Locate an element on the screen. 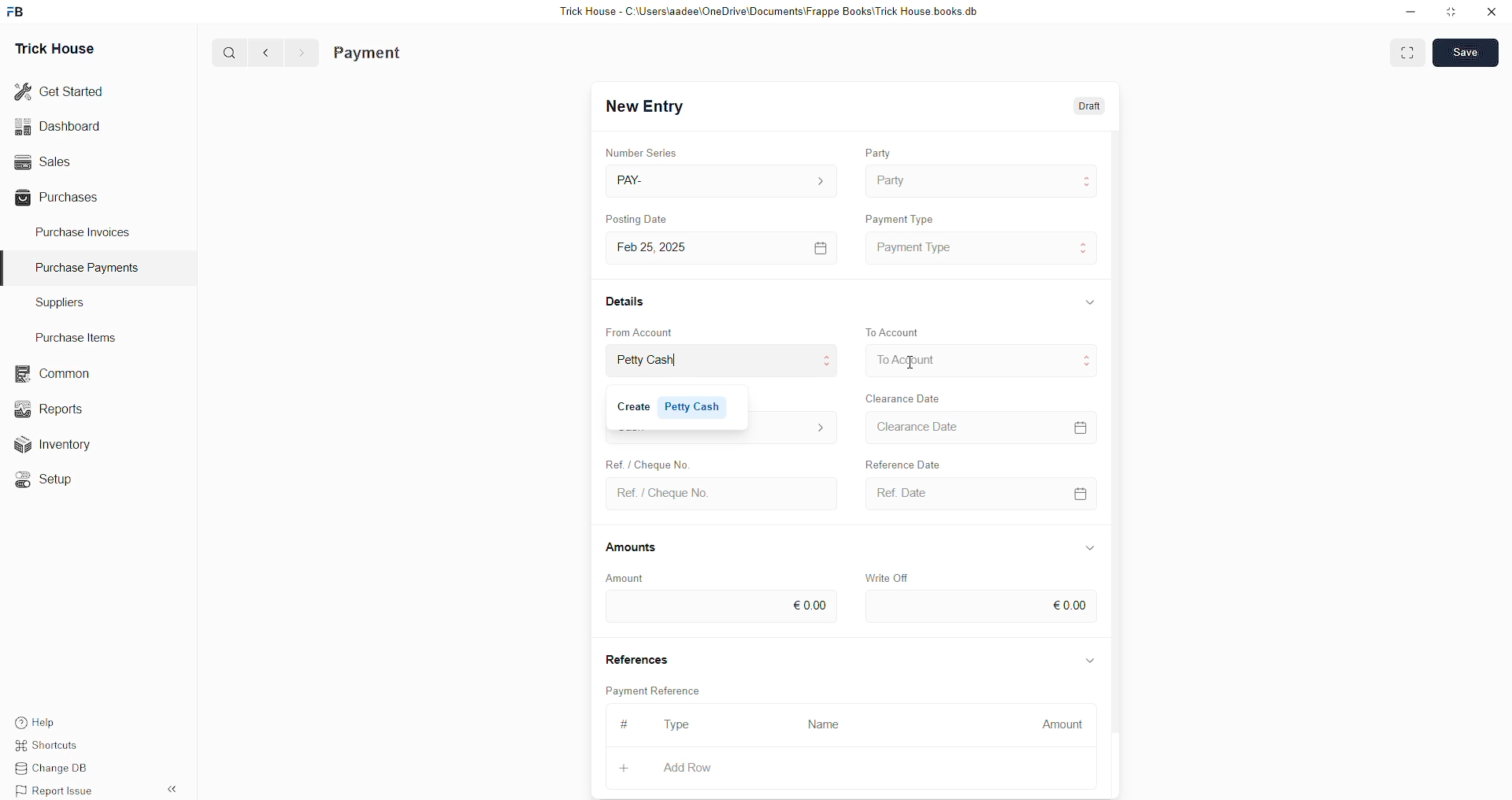 This screenshot has width=1512, height=800. Type is located at coordinates (683, 726).